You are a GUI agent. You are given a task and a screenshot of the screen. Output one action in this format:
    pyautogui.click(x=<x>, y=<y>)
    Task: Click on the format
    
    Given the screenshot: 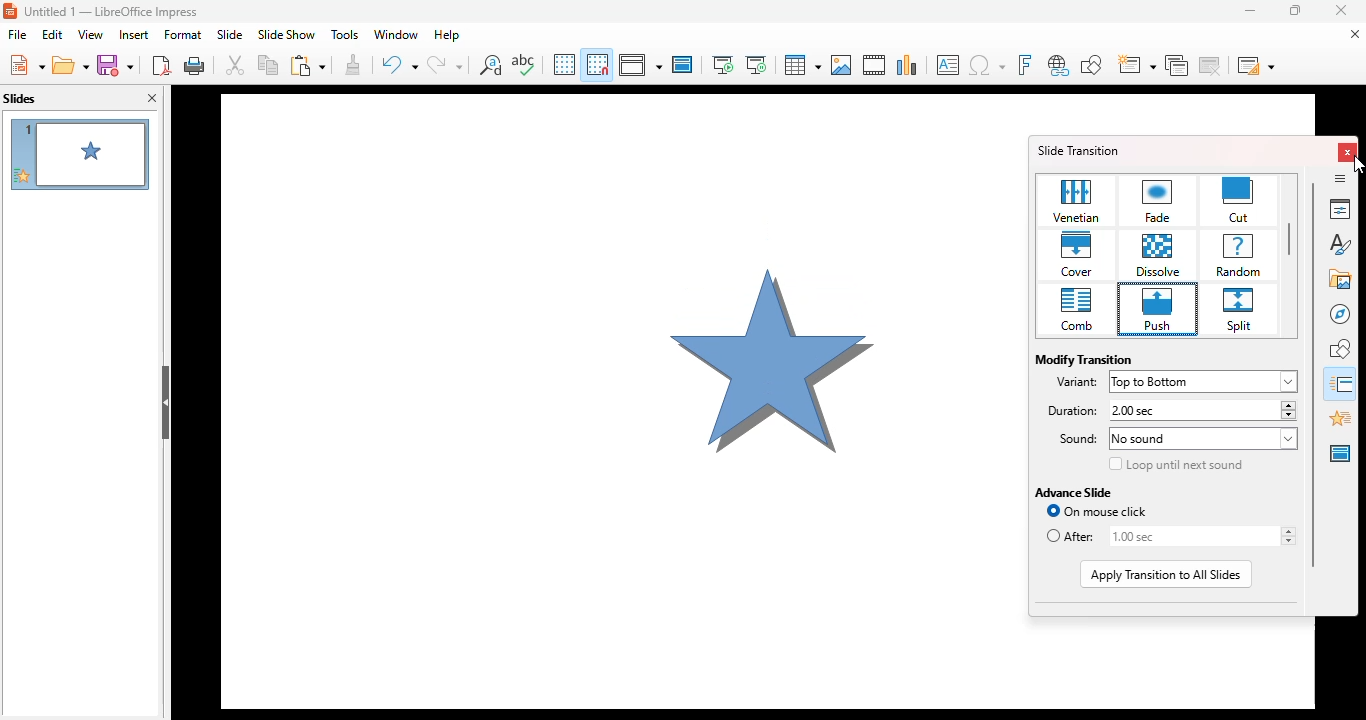 What is the action you would take?
    pyautogui.click(x=183, y=34)
    